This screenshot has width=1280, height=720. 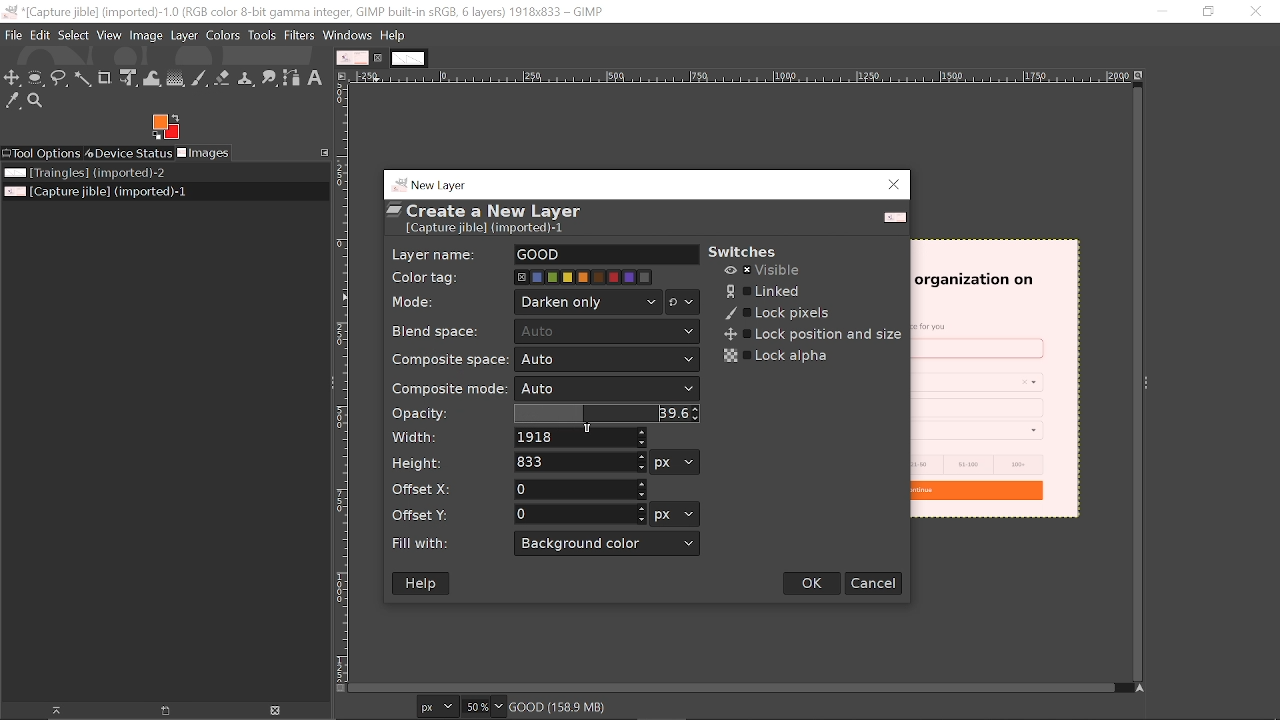 I want to click on Width, so click(x=582, y=438).